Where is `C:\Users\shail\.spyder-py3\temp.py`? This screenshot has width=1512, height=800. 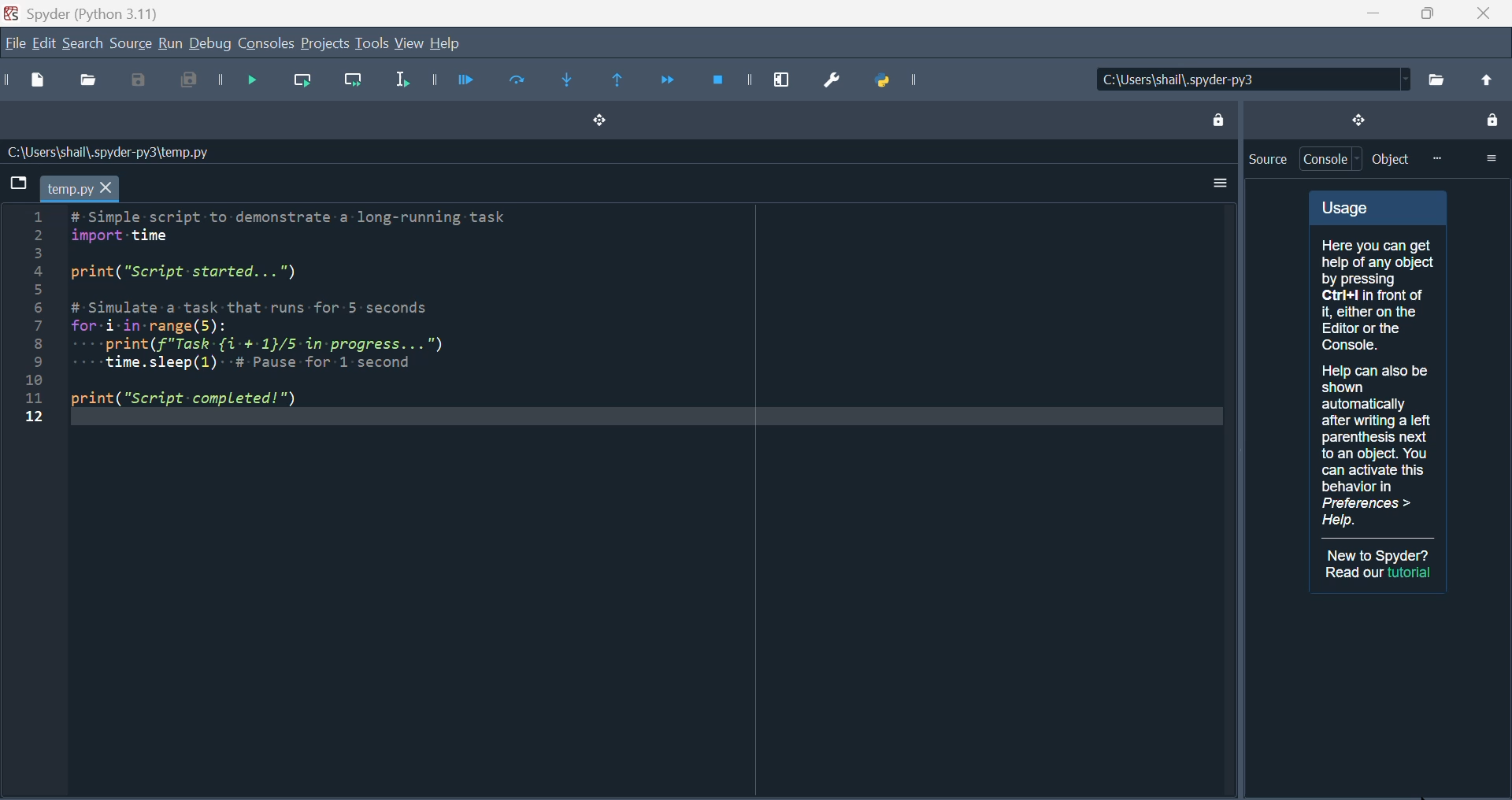
C:\Users\shail\.spyder-py3\temp.py is located at coordinates (106, 152).